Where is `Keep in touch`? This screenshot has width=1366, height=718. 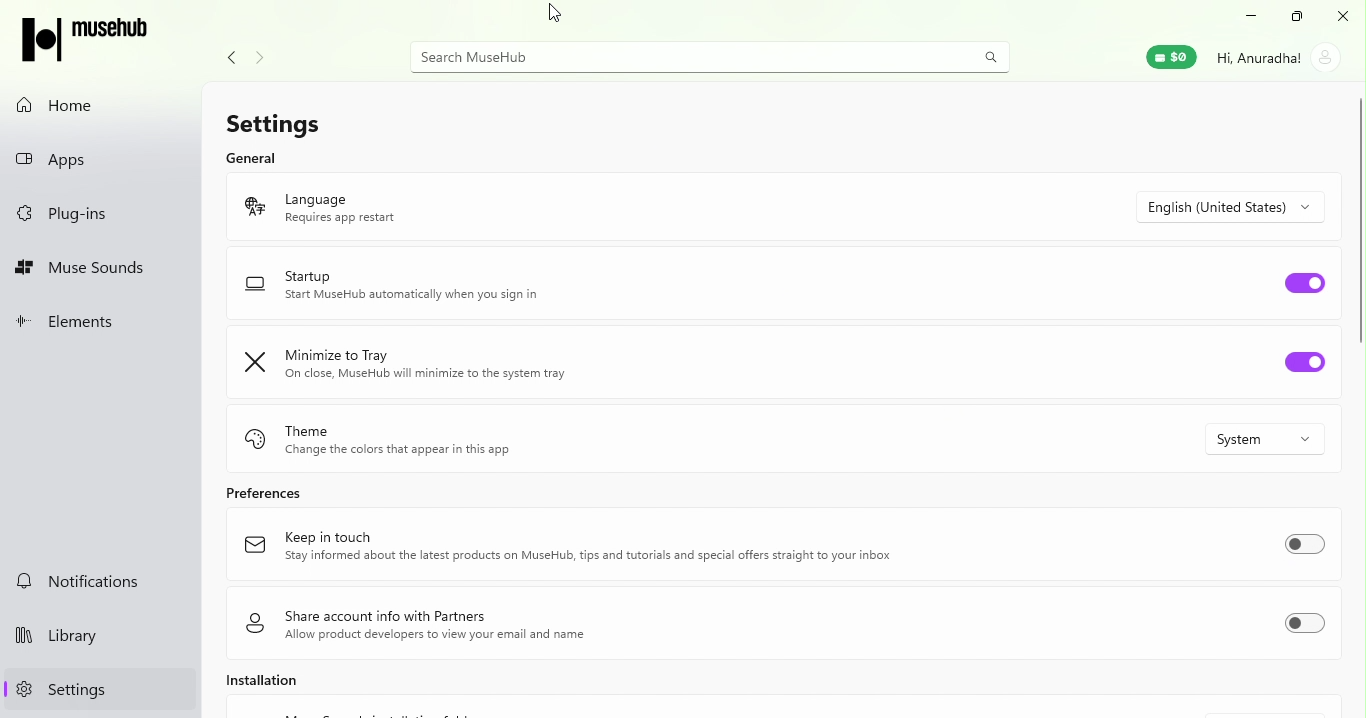 Keep in touch is located at coordinates (620, 548).